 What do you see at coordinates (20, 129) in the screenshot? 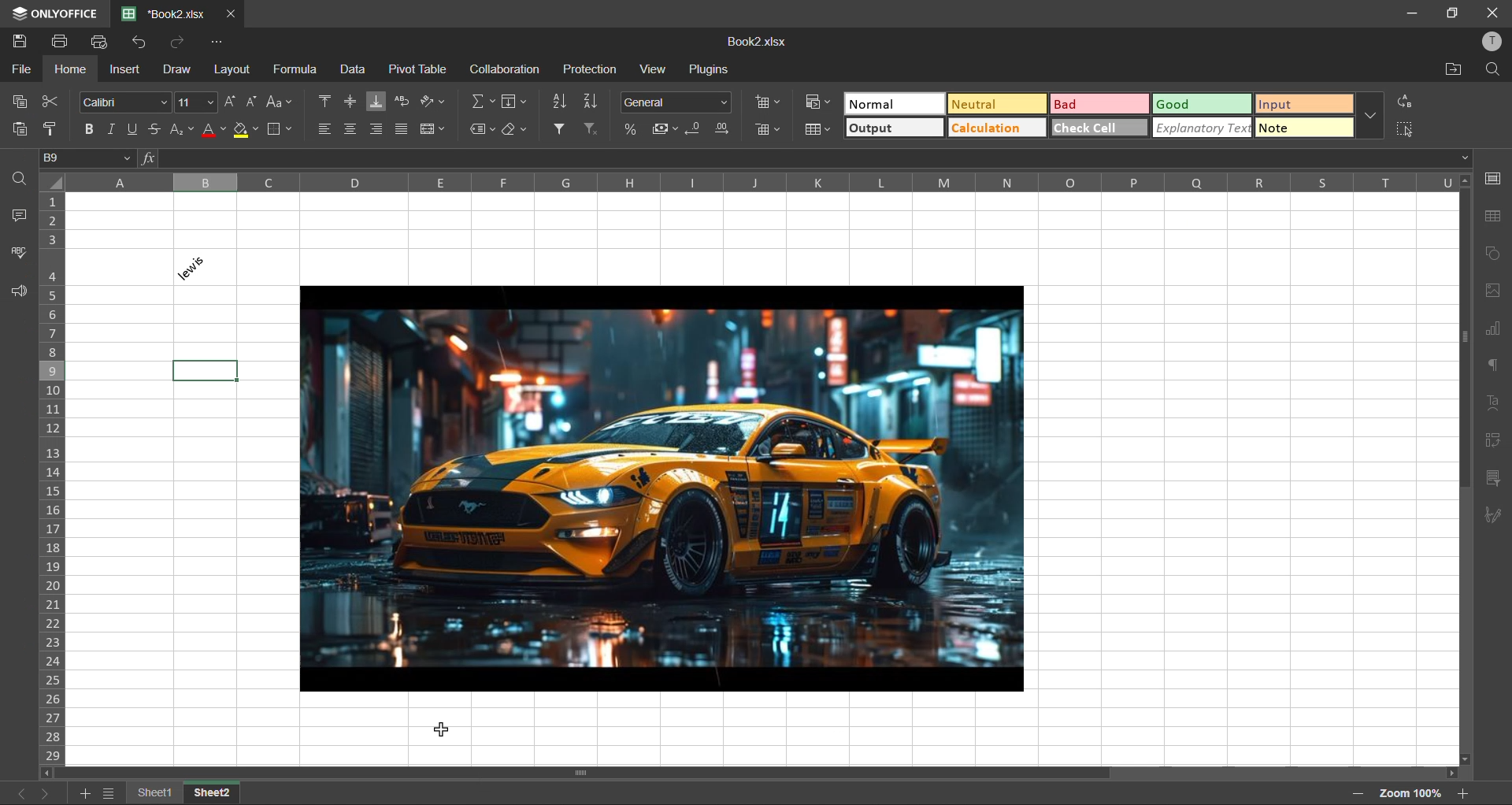
I see `paste` at bounding box center [20, 129].